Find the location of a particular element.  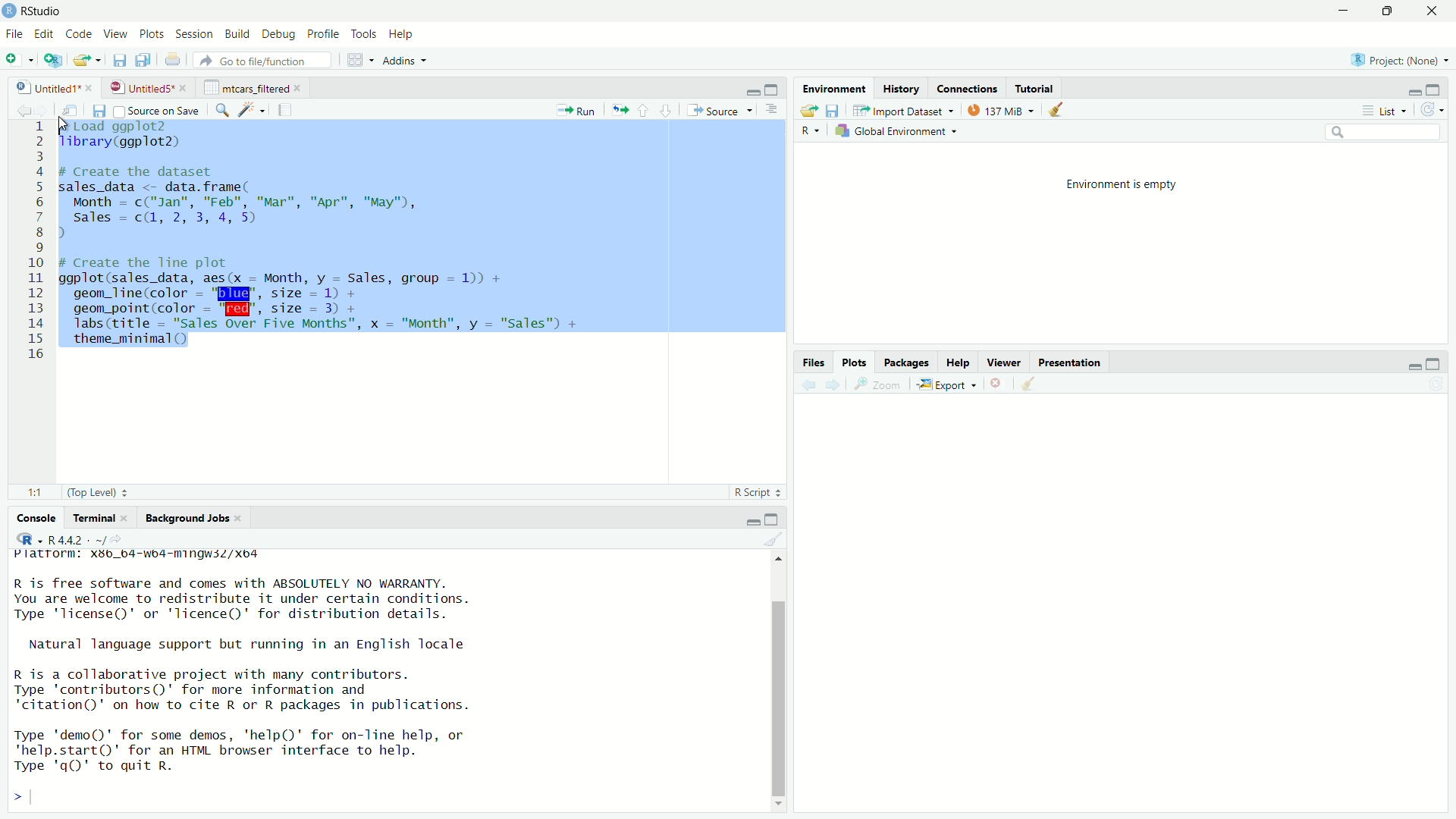

view is located at coordinates (115, 34).